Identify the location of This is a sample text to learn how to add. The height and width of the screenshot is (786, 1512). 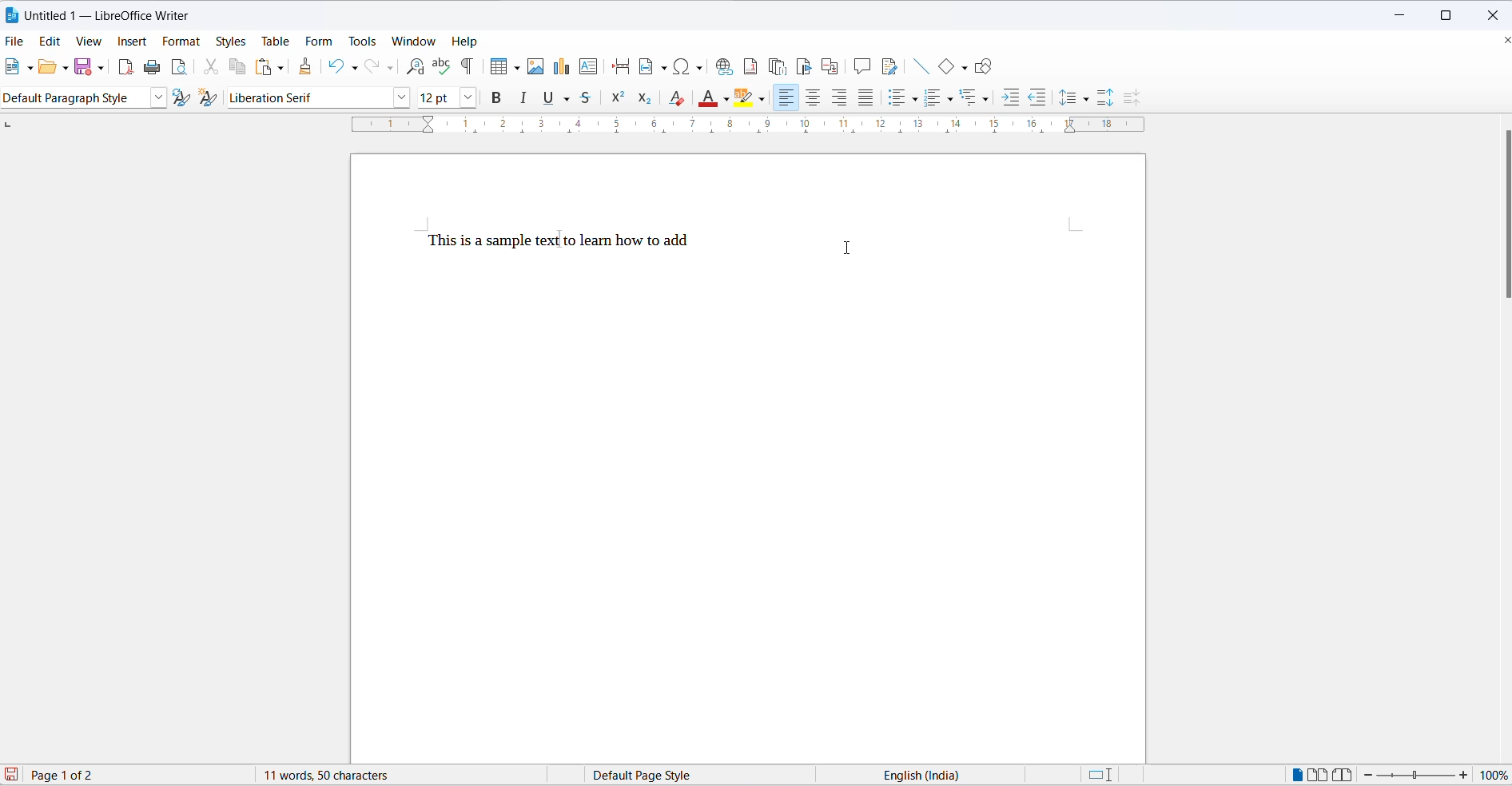
(557, 240).